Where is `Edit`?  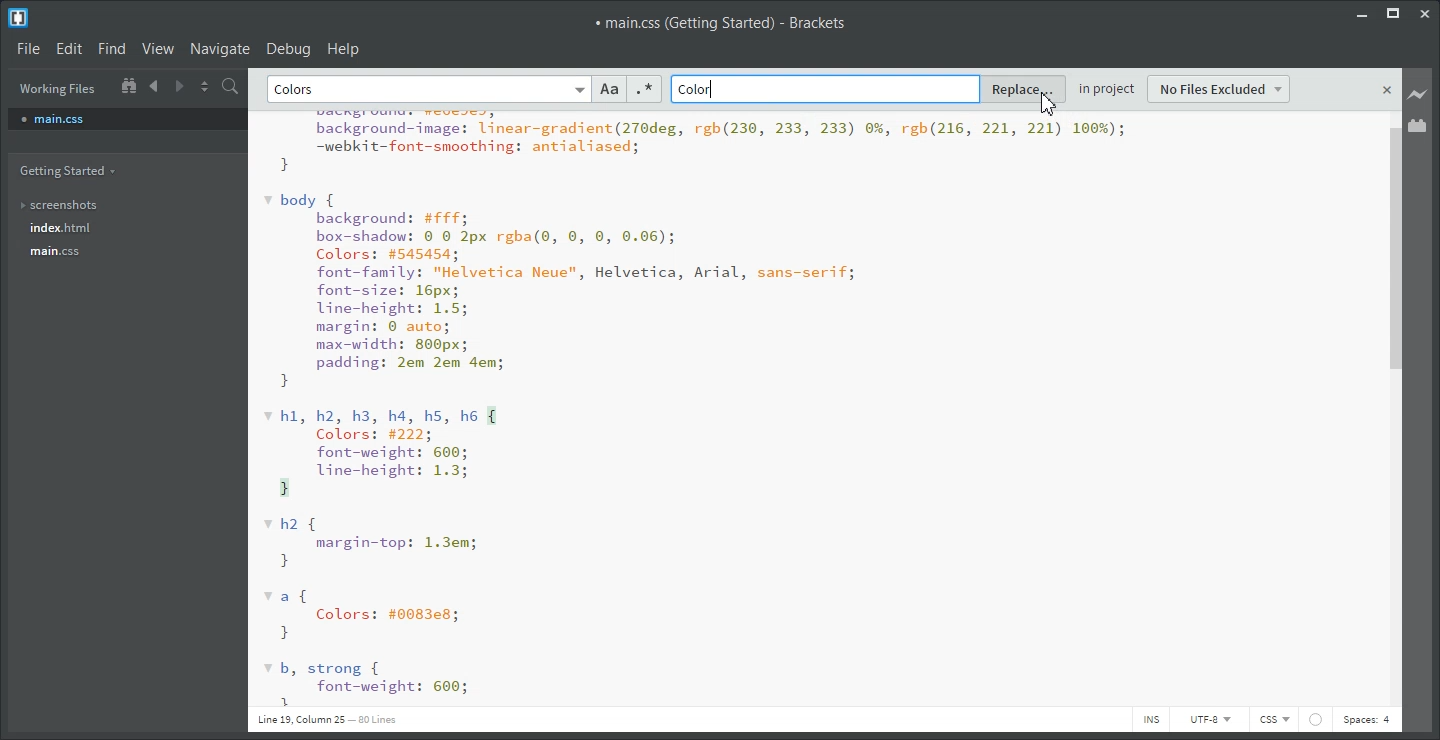
Edit is located at coordinates (68, 48).